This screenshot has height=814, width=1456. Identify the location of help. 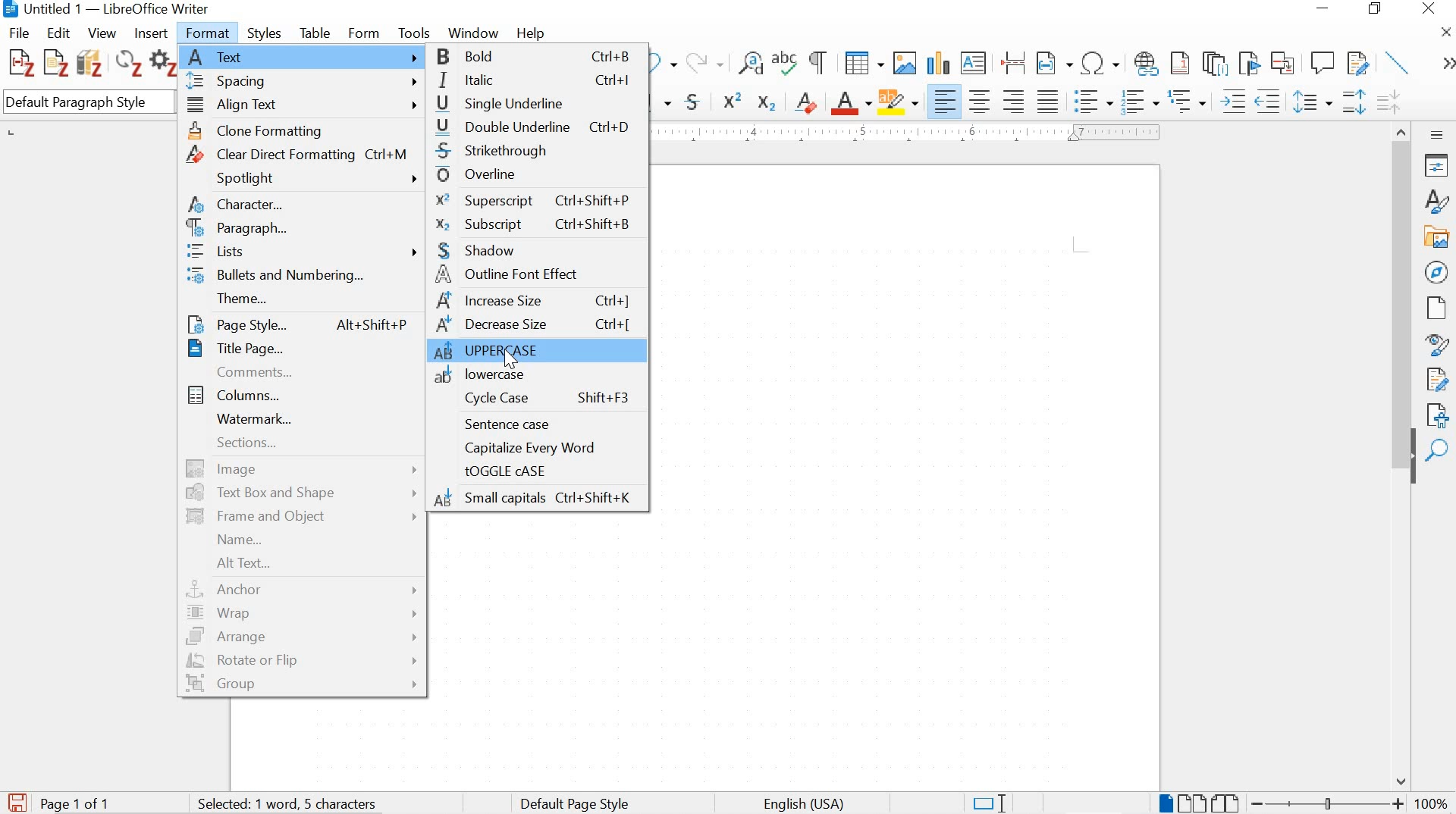
(529, 33).